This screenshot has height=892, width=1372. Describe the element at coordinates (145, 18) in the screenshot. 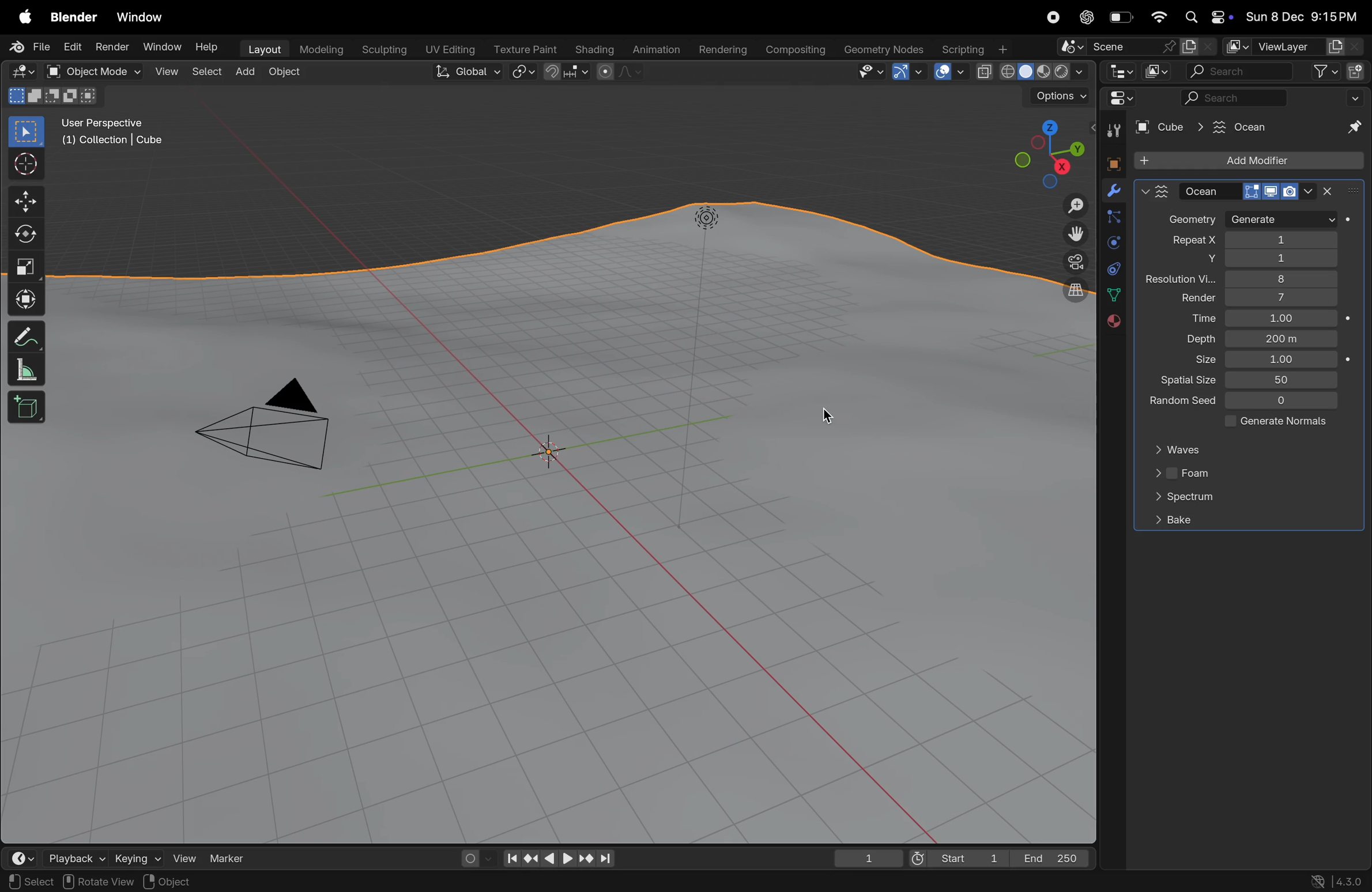

I see `window` at that location.